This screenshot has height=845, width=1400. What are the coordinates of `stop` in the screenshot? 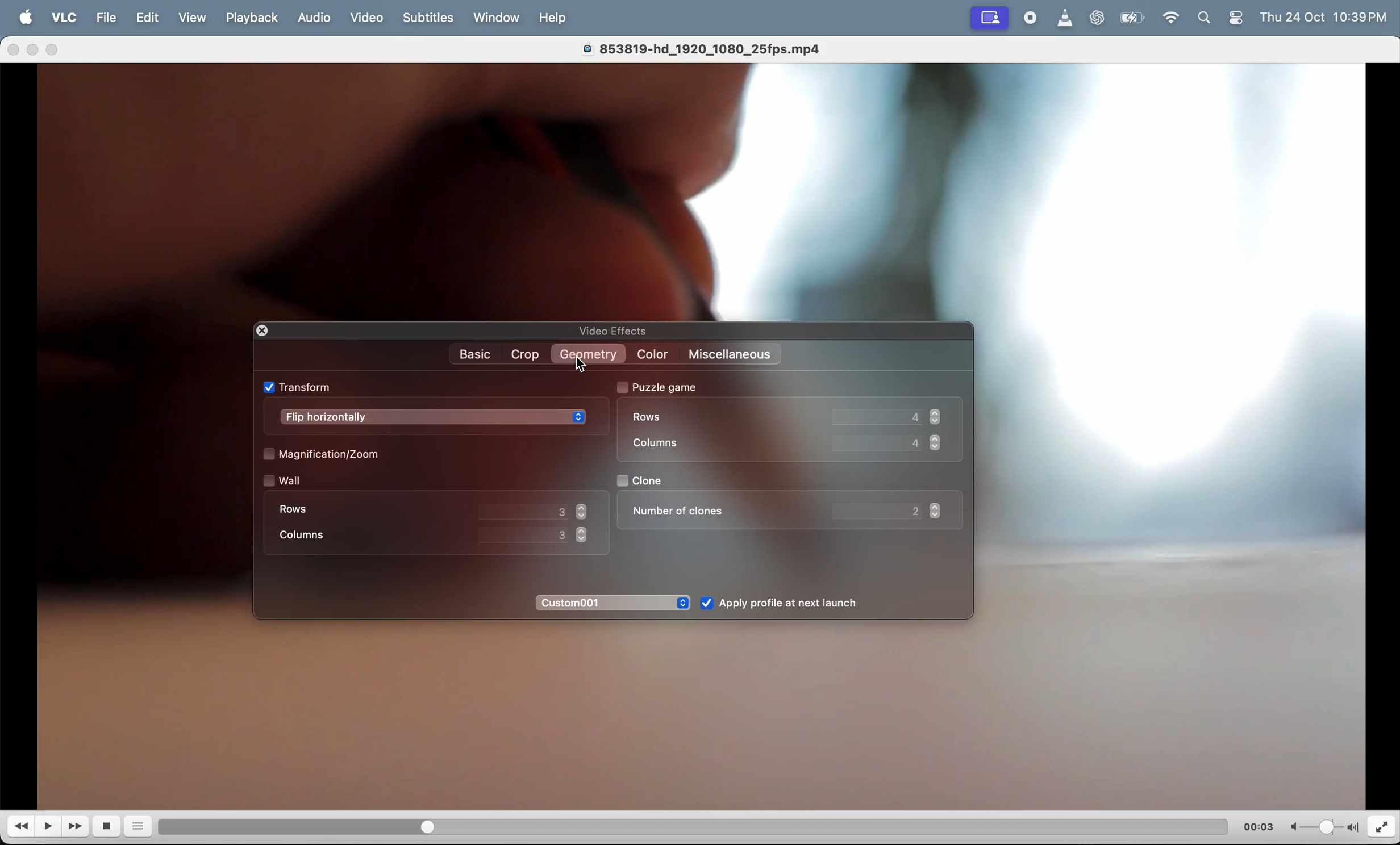 It's located at (110, 827).